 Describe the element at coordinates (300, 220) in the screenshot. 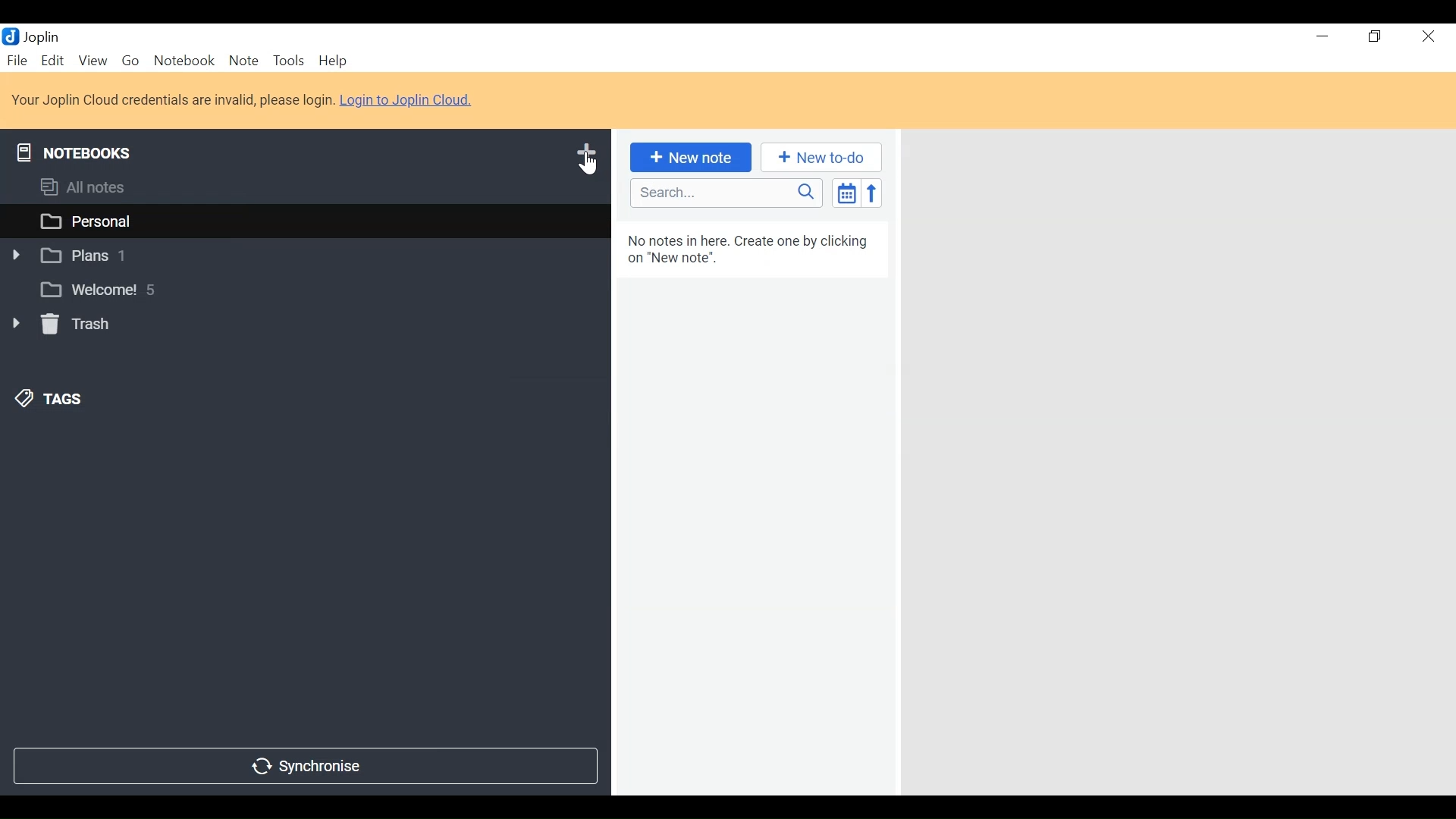

I see `personal ` at that location.